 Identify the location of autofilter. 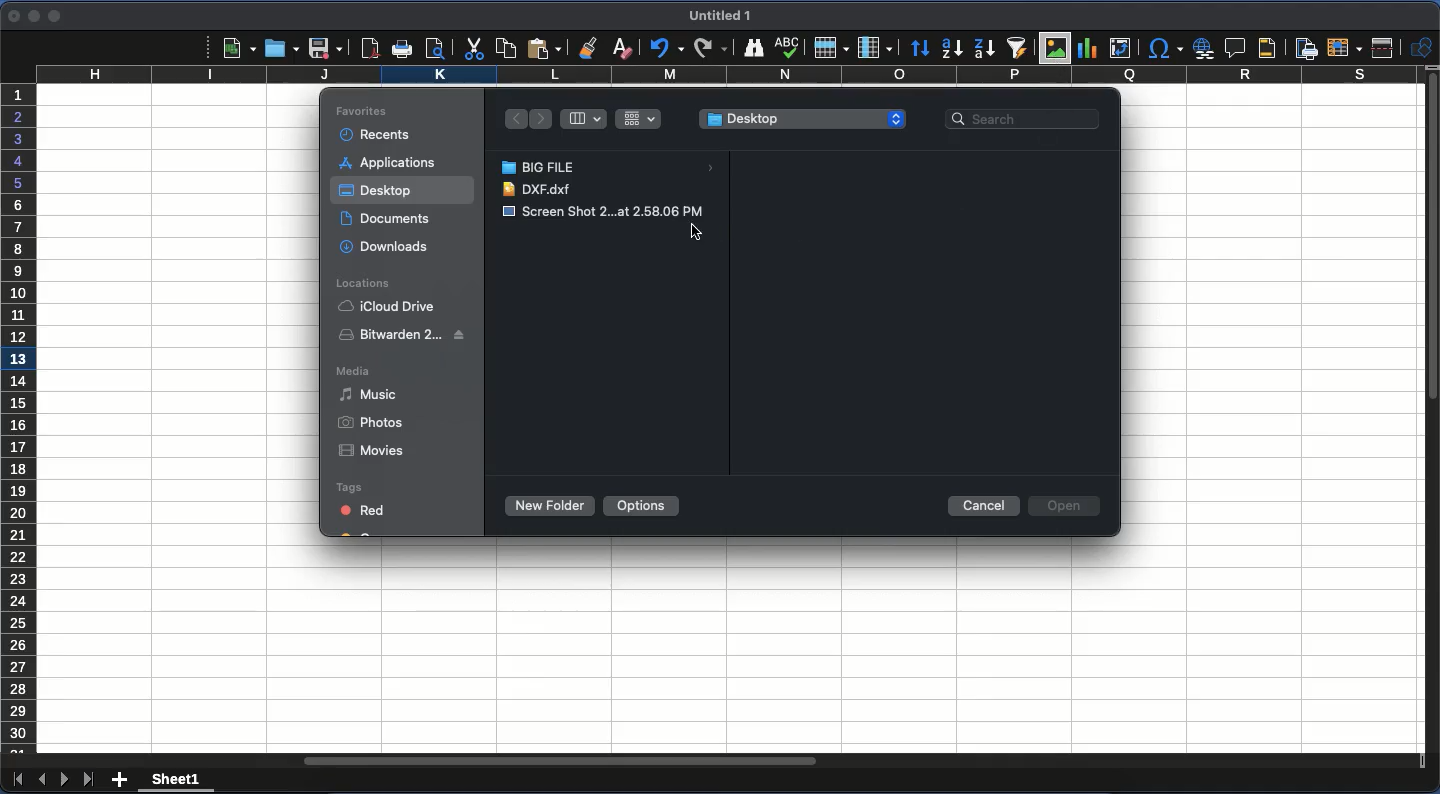
(1016, 49).